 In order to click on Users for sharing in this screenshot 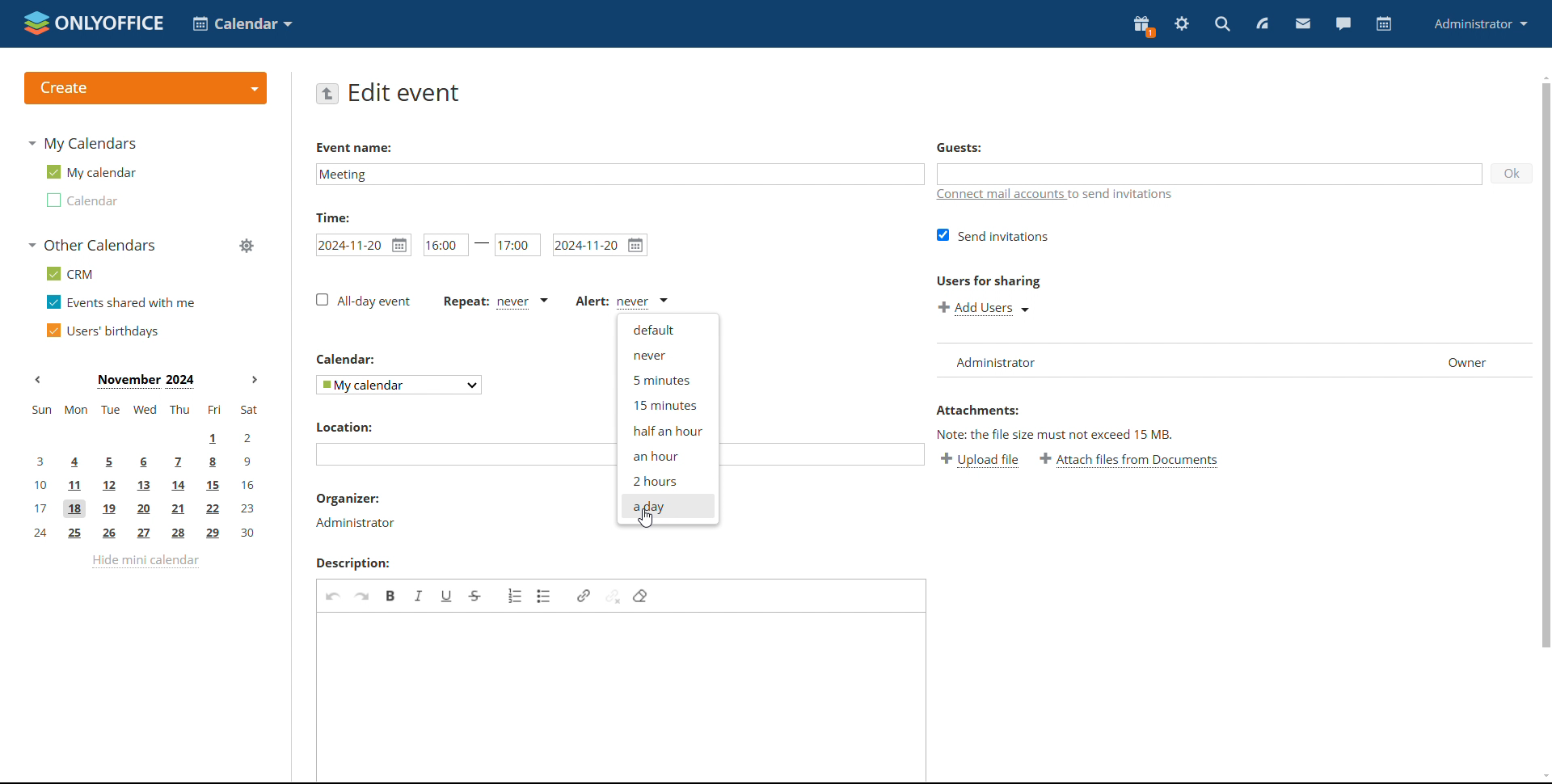, I will do `click(988, 280)`.